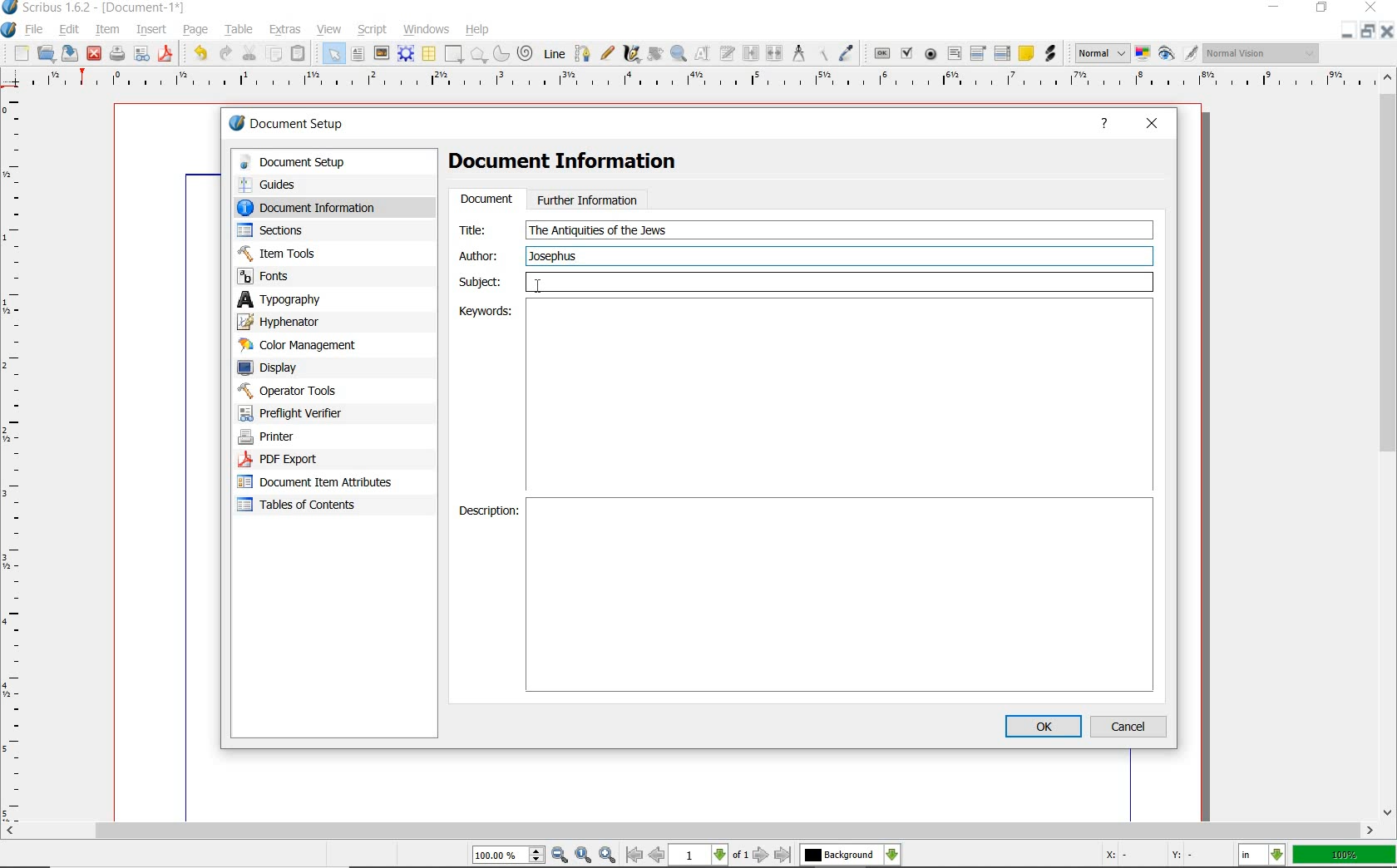 The image size is (1397, 868). What do you see at coordinates (847, 52) in the screenshot?
I see `eye dropper` at bounding box center [847, 52].